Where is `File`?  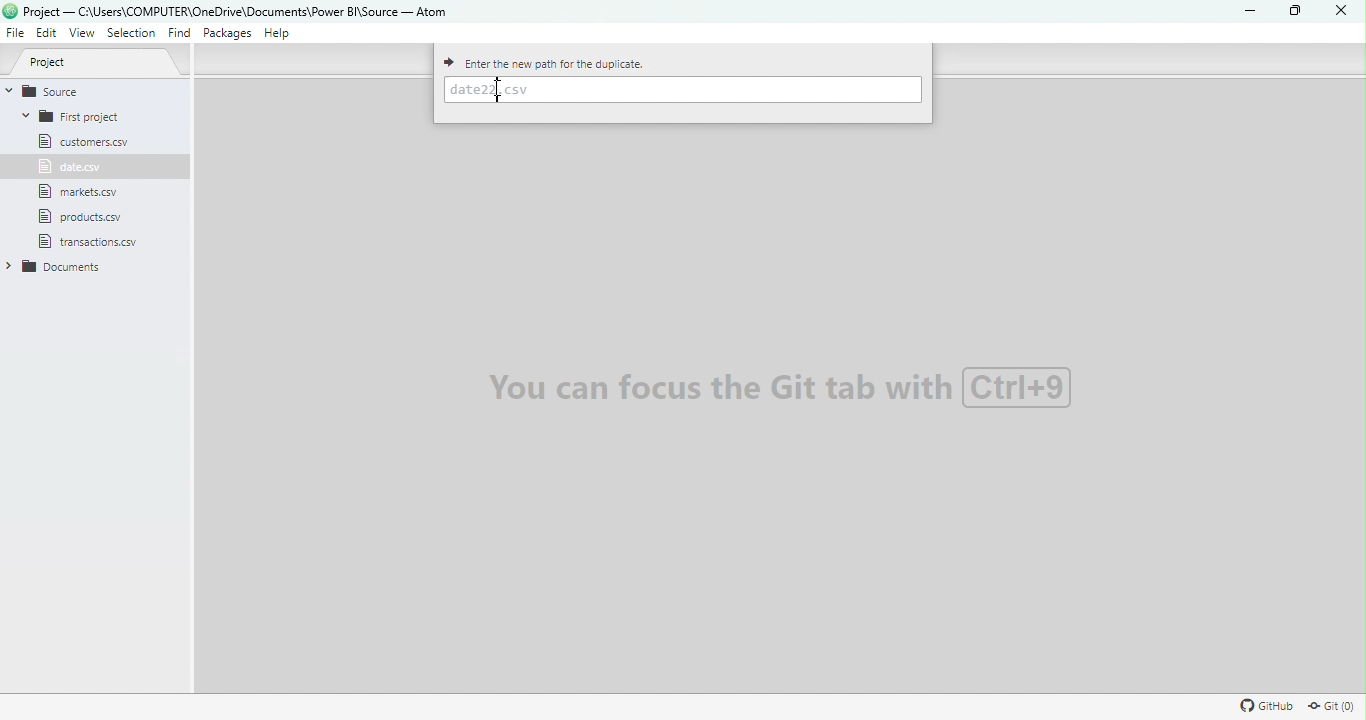
File is located at coordinates (79, 192).